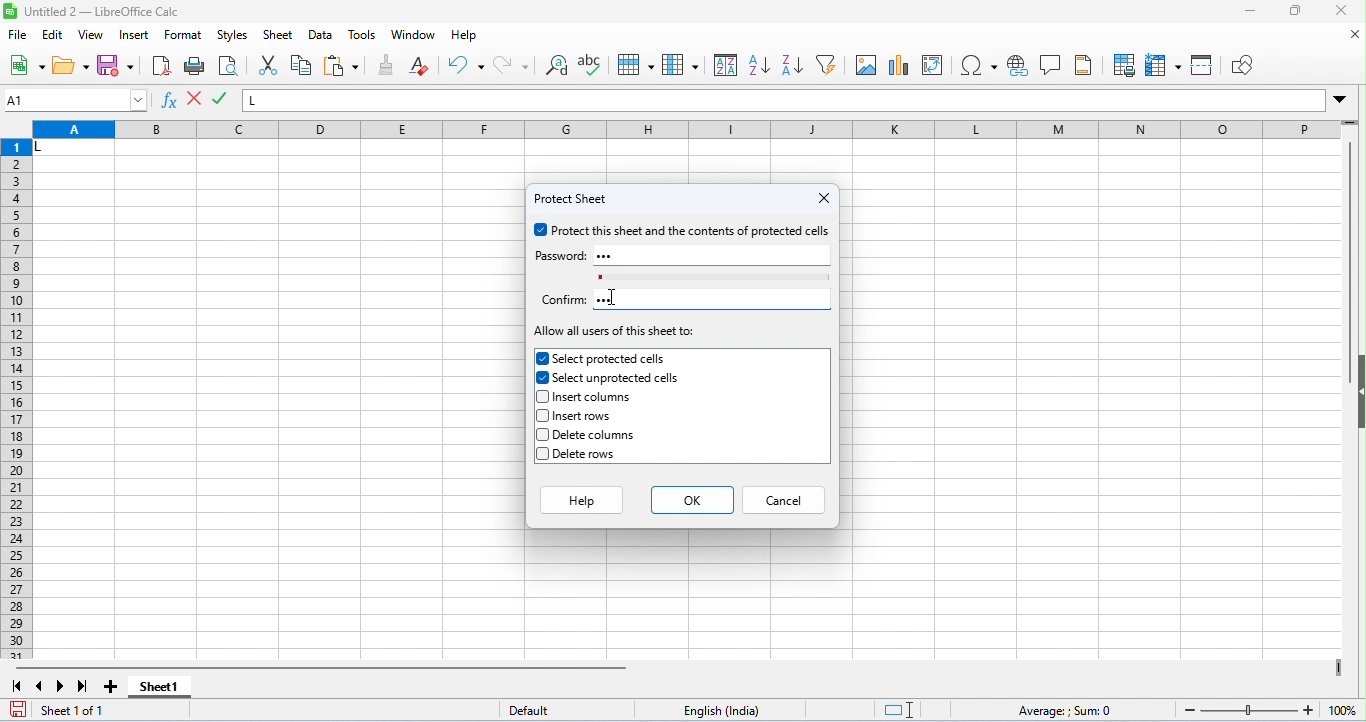  Describe the element at coordinates (116, 65) in the screenshot. I see `save` at that location.